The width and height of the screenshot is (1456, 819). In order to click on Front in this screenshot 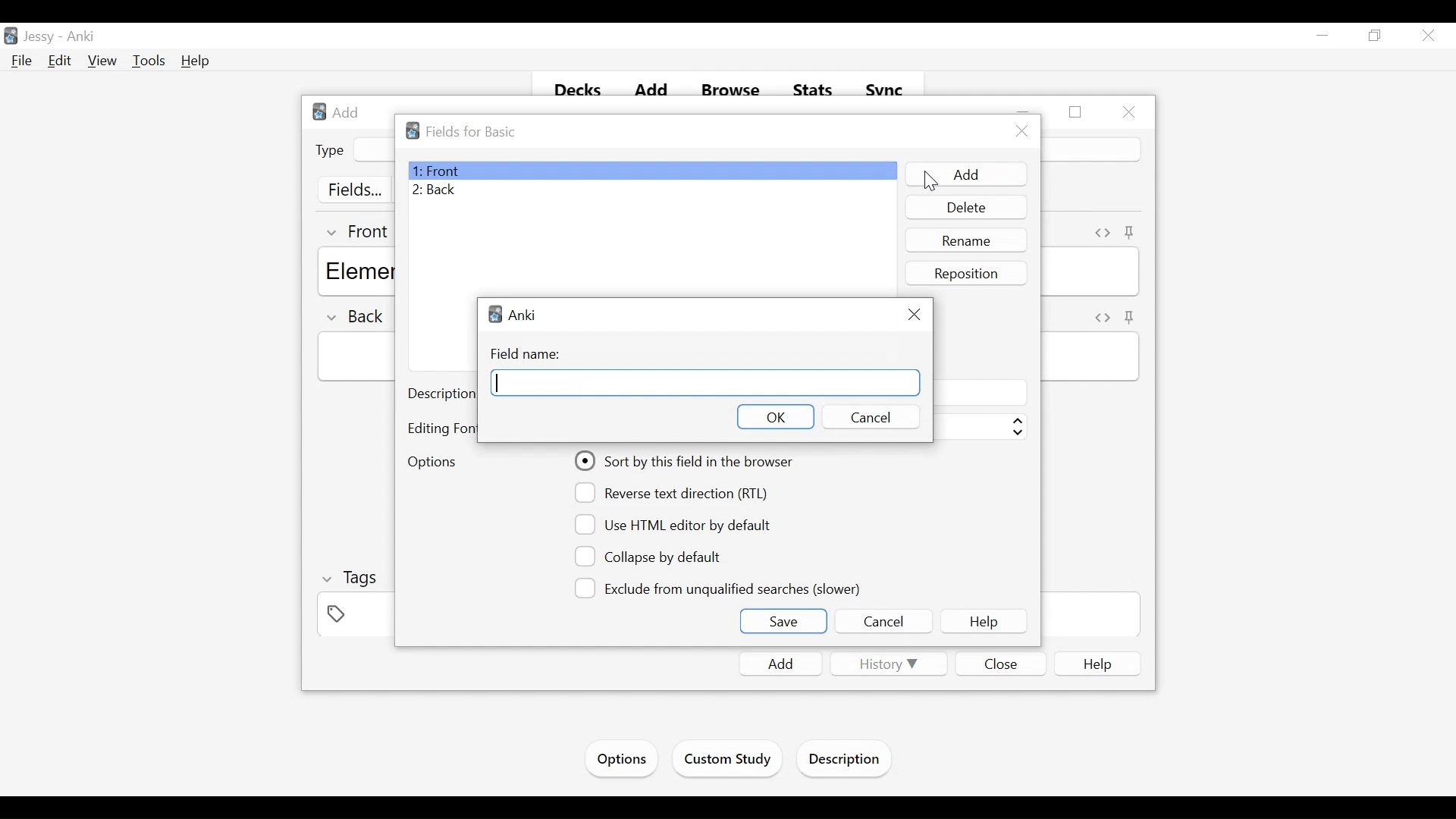, I will do `click(651, 171)`.